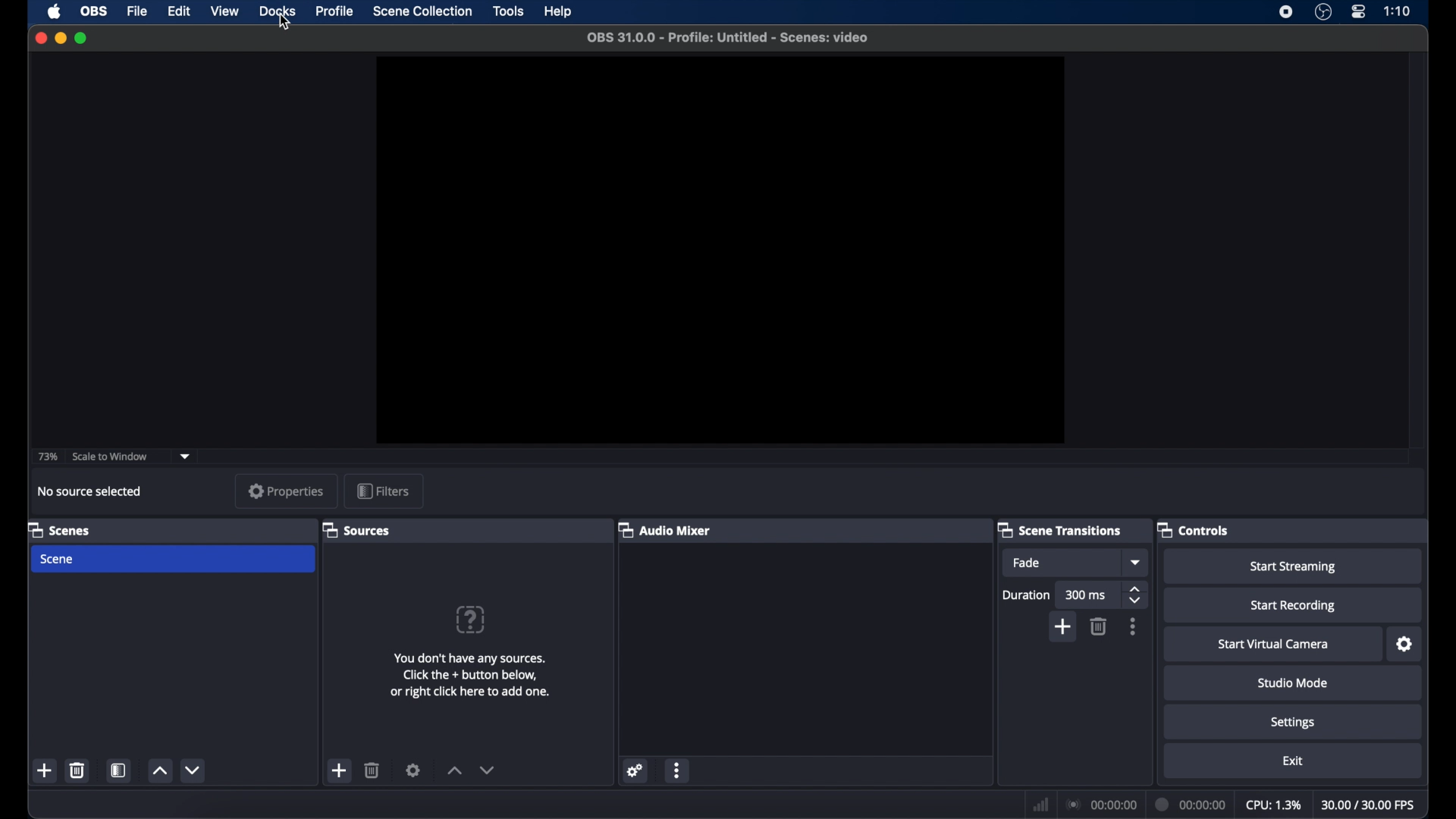 The height and width of the screenshot is (819, 1456). I want to click on view, so click(224, 11).